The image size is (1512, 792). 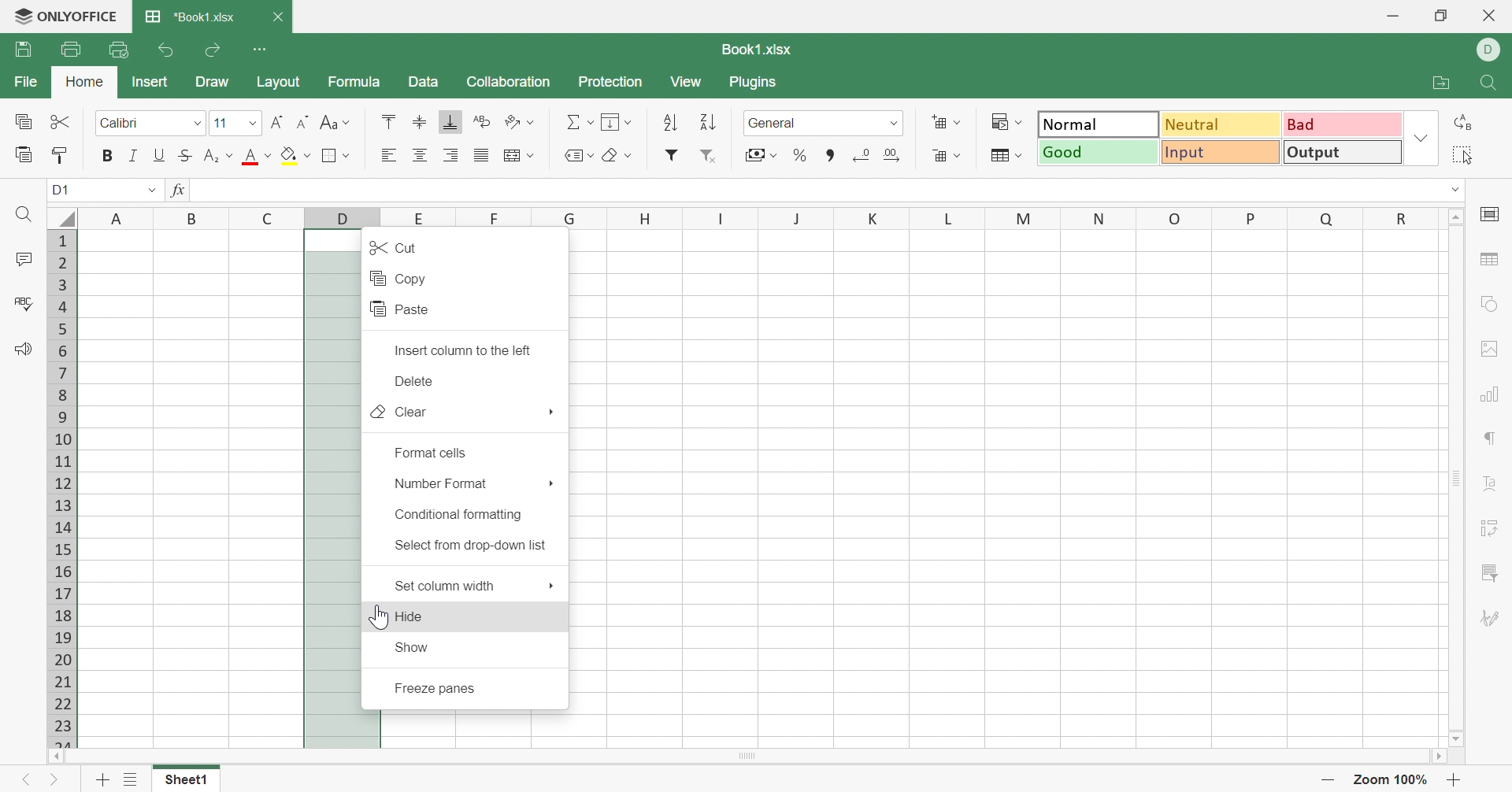 What do you see at coordinates (933, 155) in the screenshot?
I see `Delete cells` at bounding box center [933, 155].